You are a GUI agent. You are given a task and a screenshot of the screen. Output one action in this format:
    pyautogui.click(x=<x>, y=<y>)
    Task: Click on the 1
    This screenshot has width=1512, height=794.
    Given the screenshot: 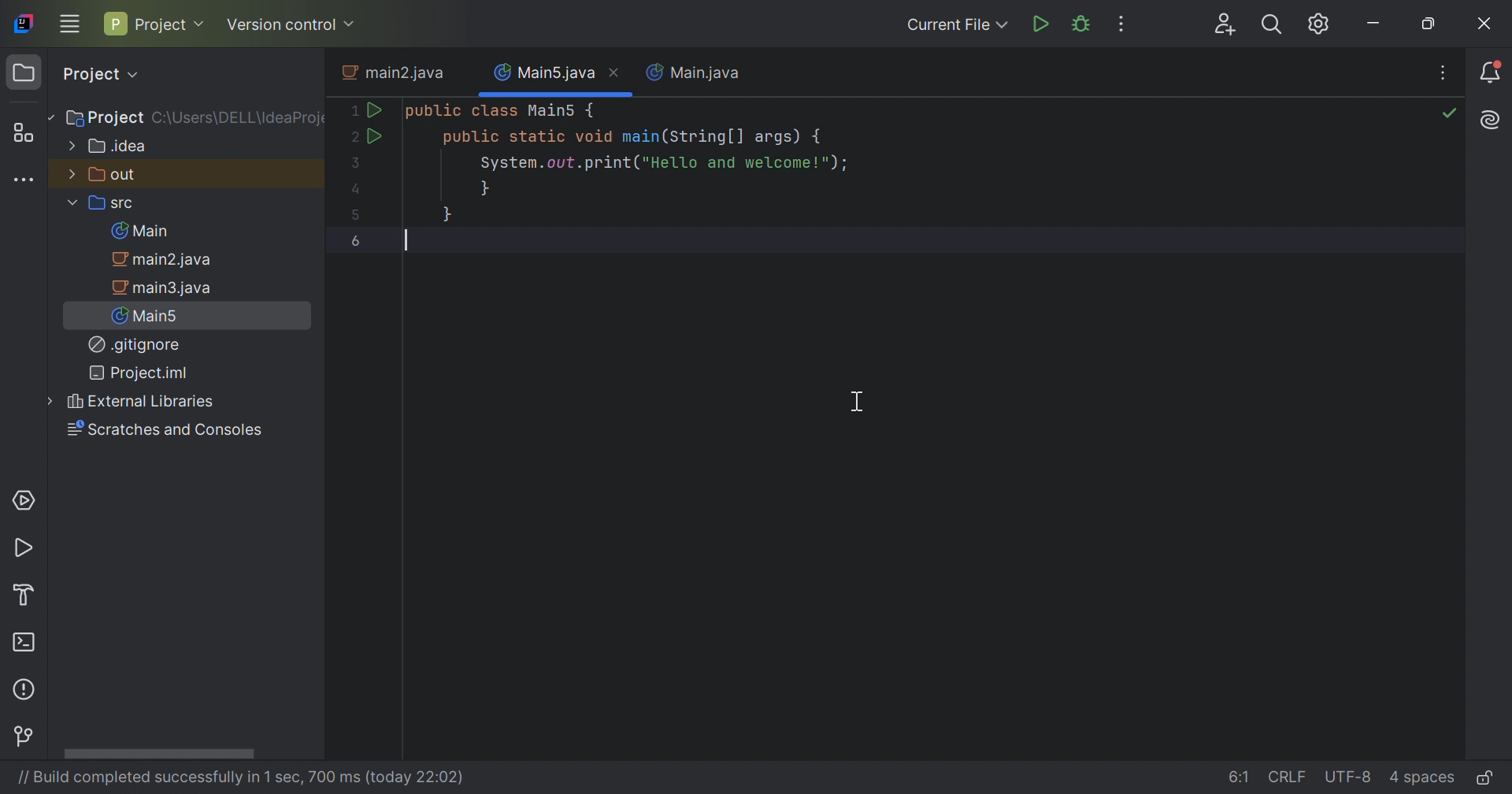 What is the action you would take?
    pyautogui.click(x=350, y=112)
    